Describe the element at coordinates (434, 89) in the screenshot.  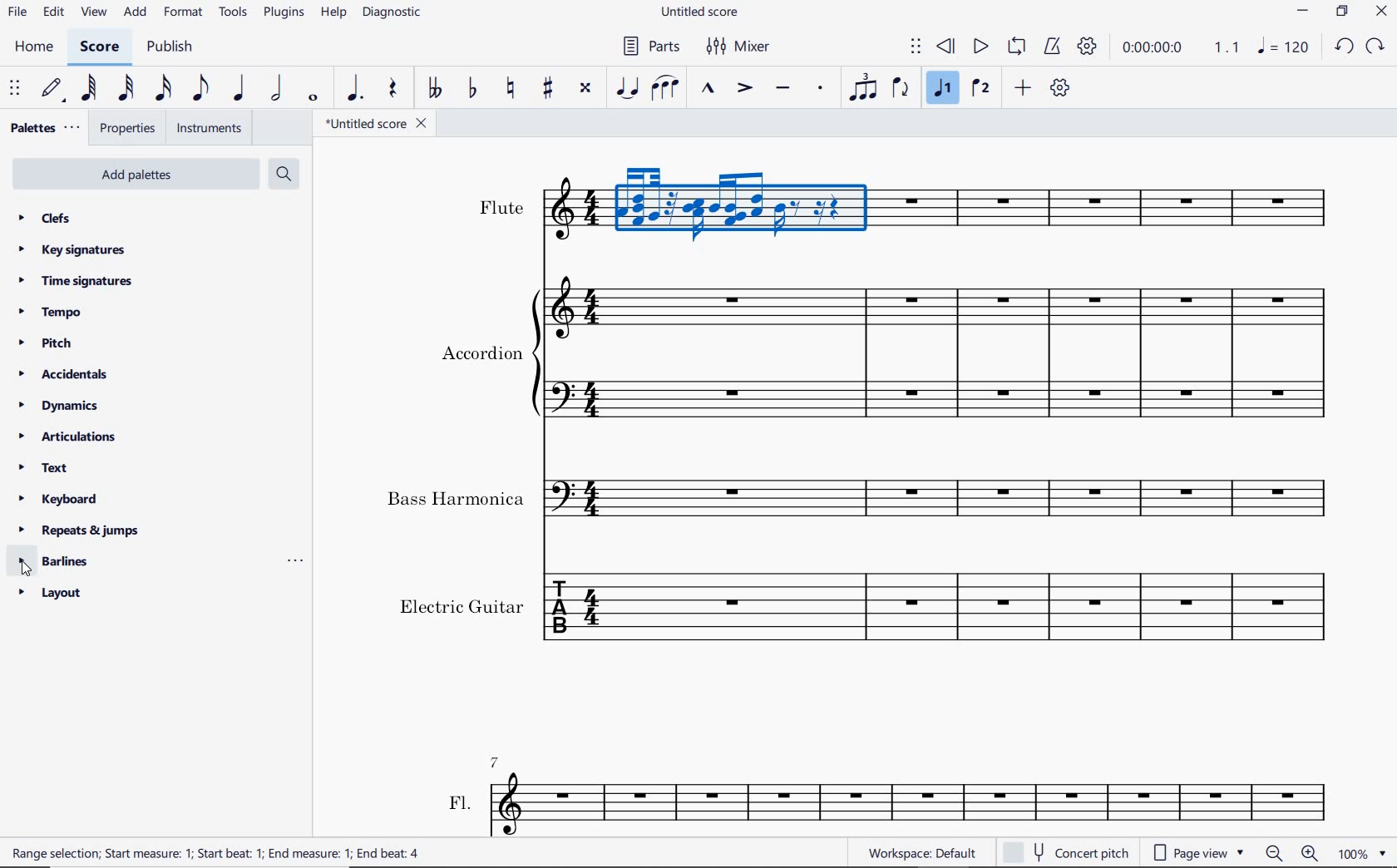
I see `toggle double-flat` at that location.